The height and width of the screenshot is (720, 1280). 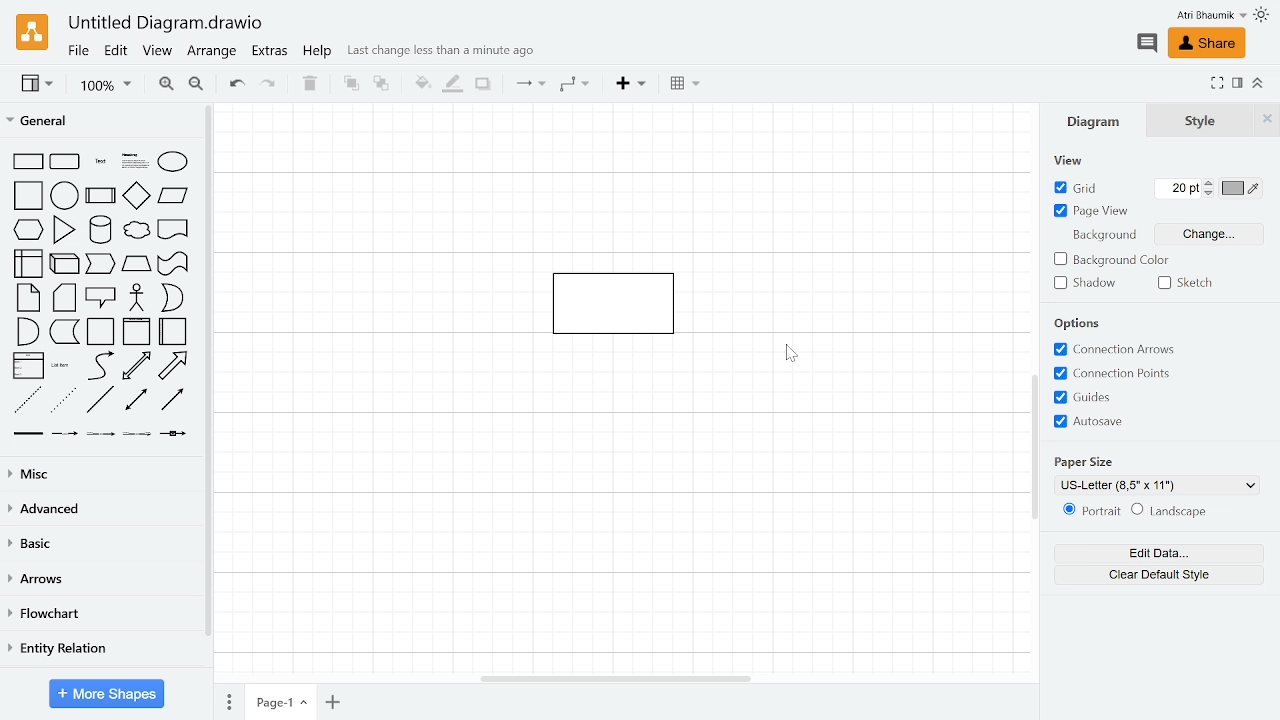 What do you see at coordinates (1083, 460) in the screenshot?
I see `Paper Size` at bounding box center [1083, 460].